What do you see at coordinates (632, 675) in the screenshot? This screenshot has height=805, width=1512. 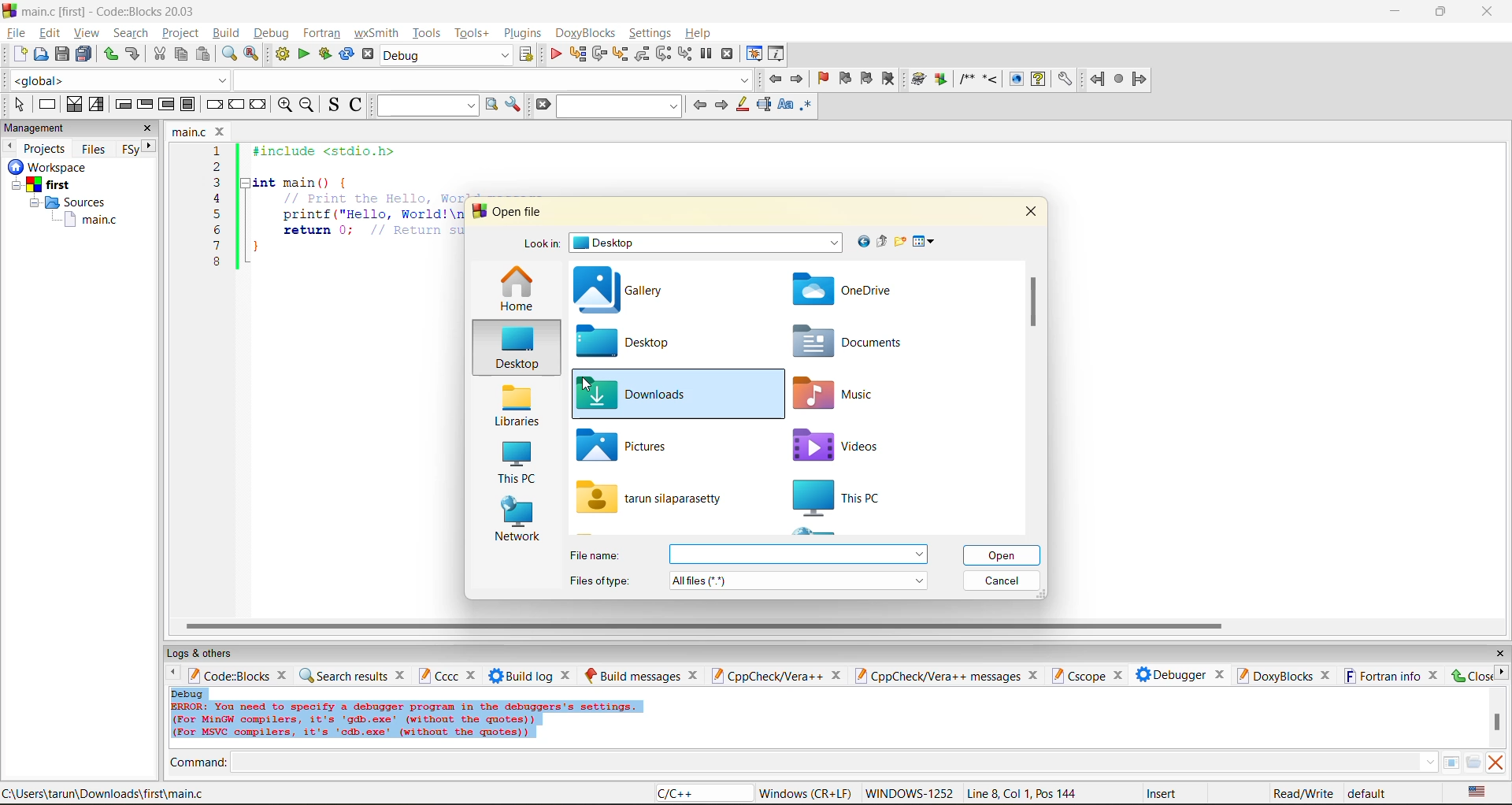 I see `build messages` at bounding box center [632, 675].